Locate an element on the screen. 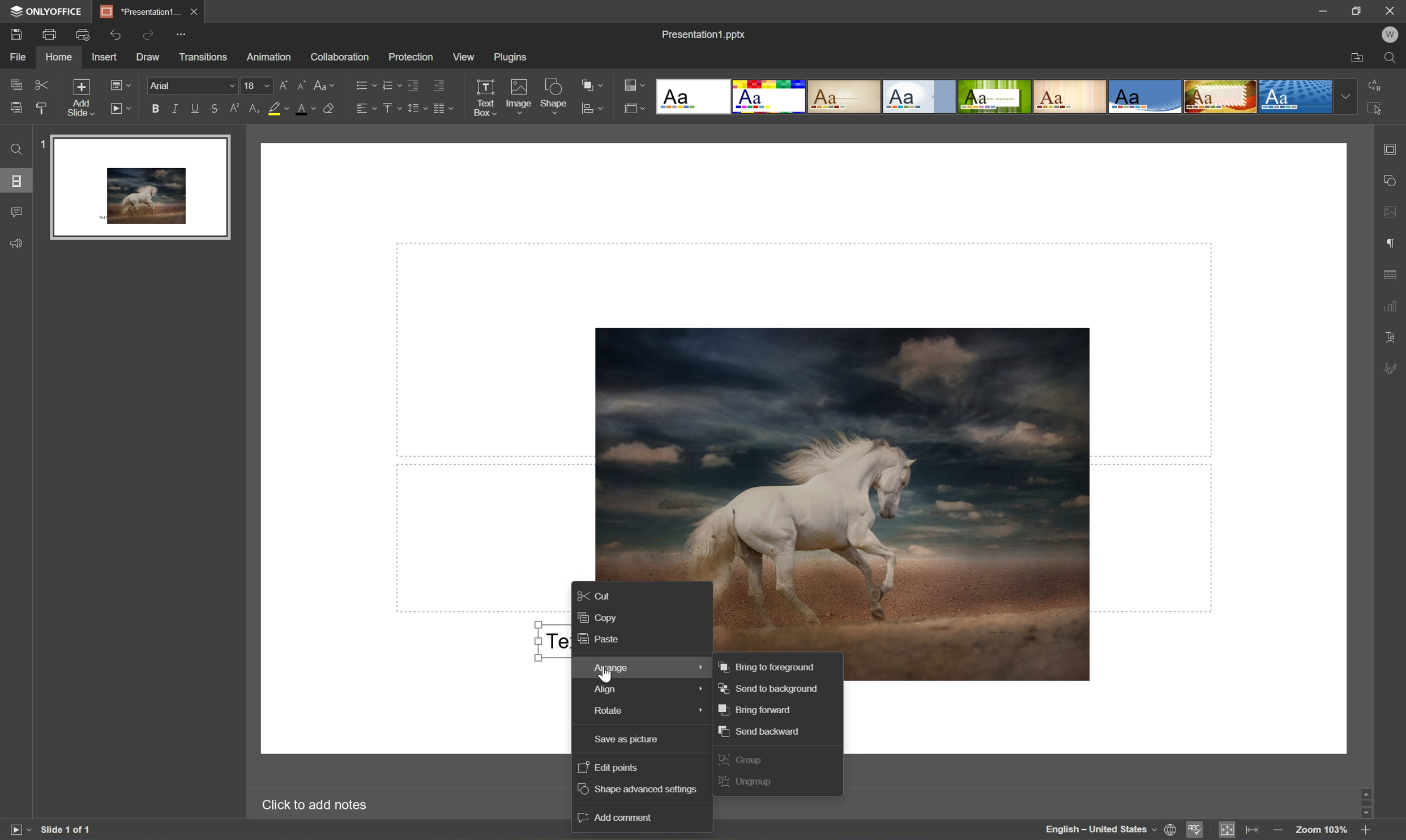 This screenshot has width=1406, height=840. Italic is located at coordinates (175, 109).